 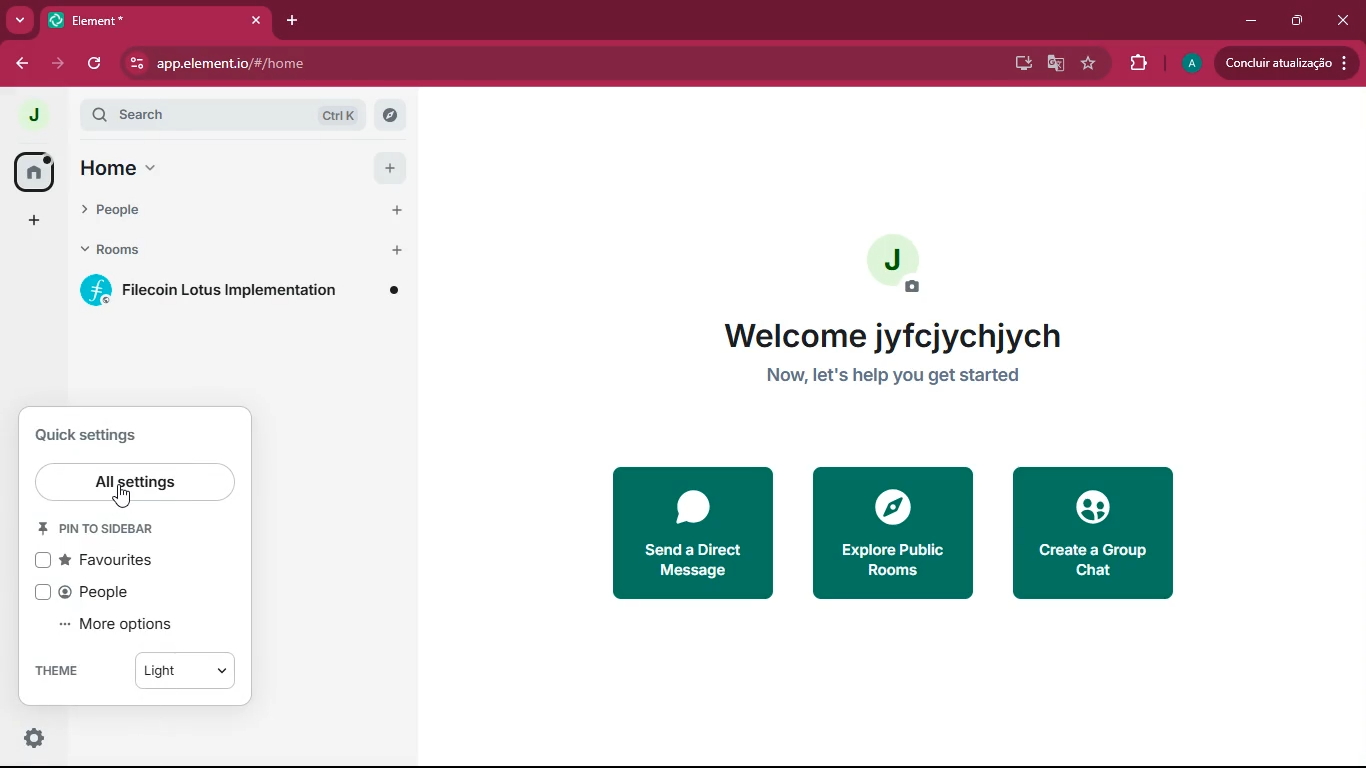 What do you see at coordinates (393, 170) in the screenshot?
I see `add` at bounding box center [393, 170].